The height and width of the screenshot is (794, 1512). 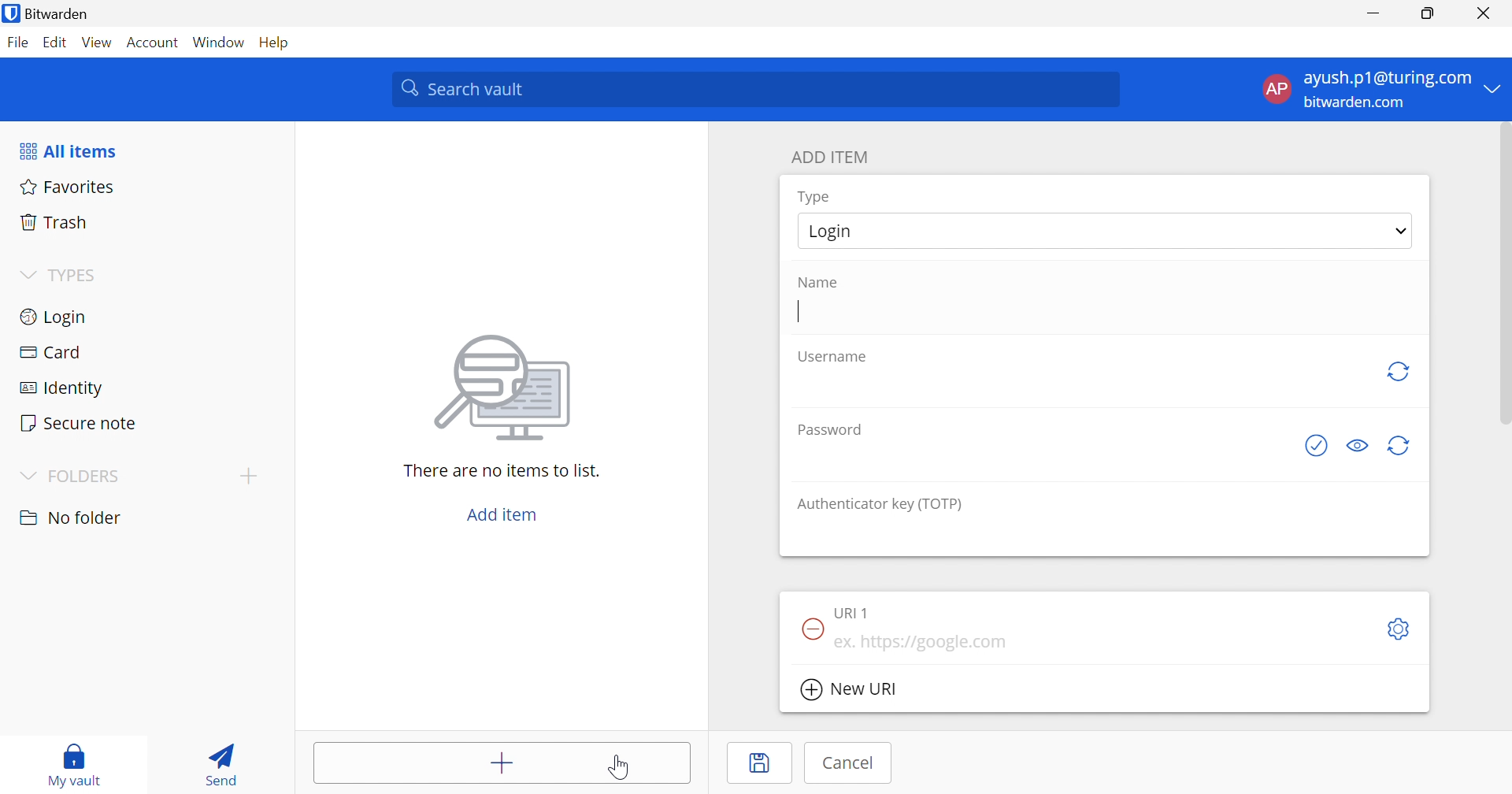 What do you see at coordinates (65, 185) in the screenshot?
I see `Favorites` at bounding box center [65, 185].